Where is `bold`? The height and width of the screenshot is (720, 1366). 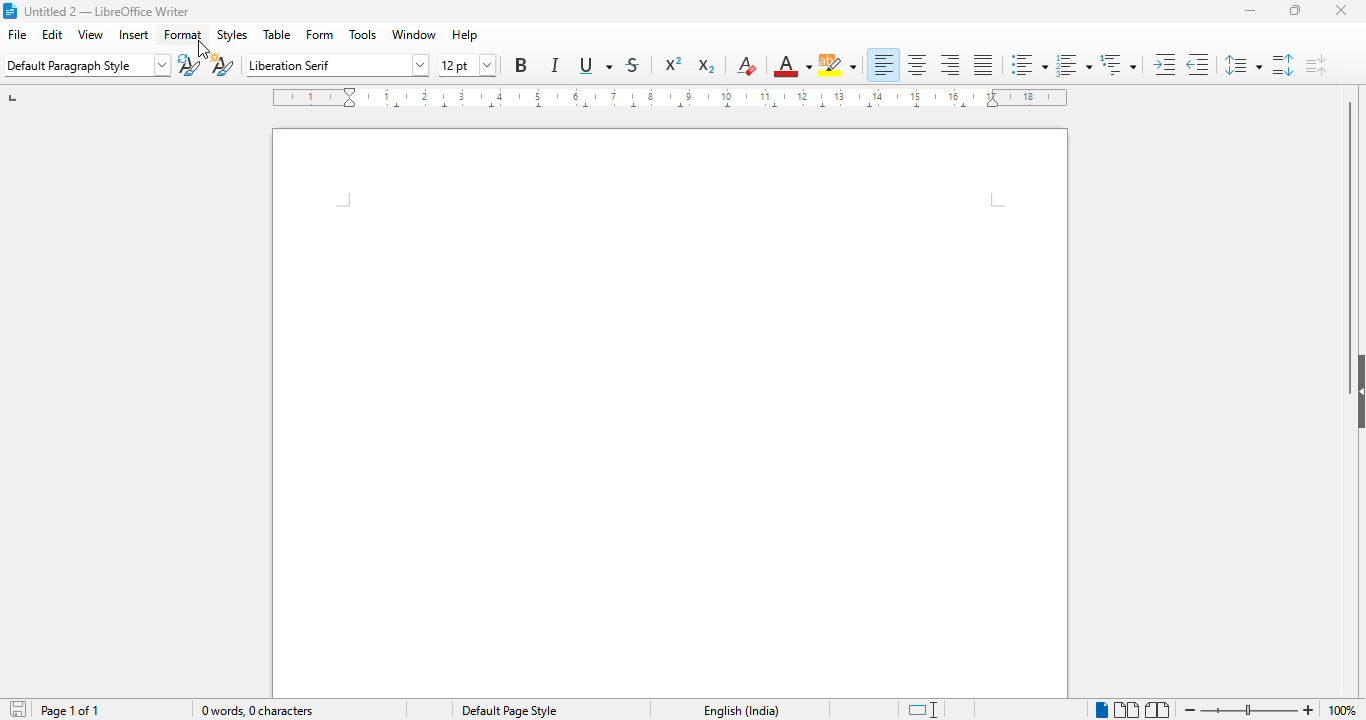 bold is located at coordinates (521, 65).